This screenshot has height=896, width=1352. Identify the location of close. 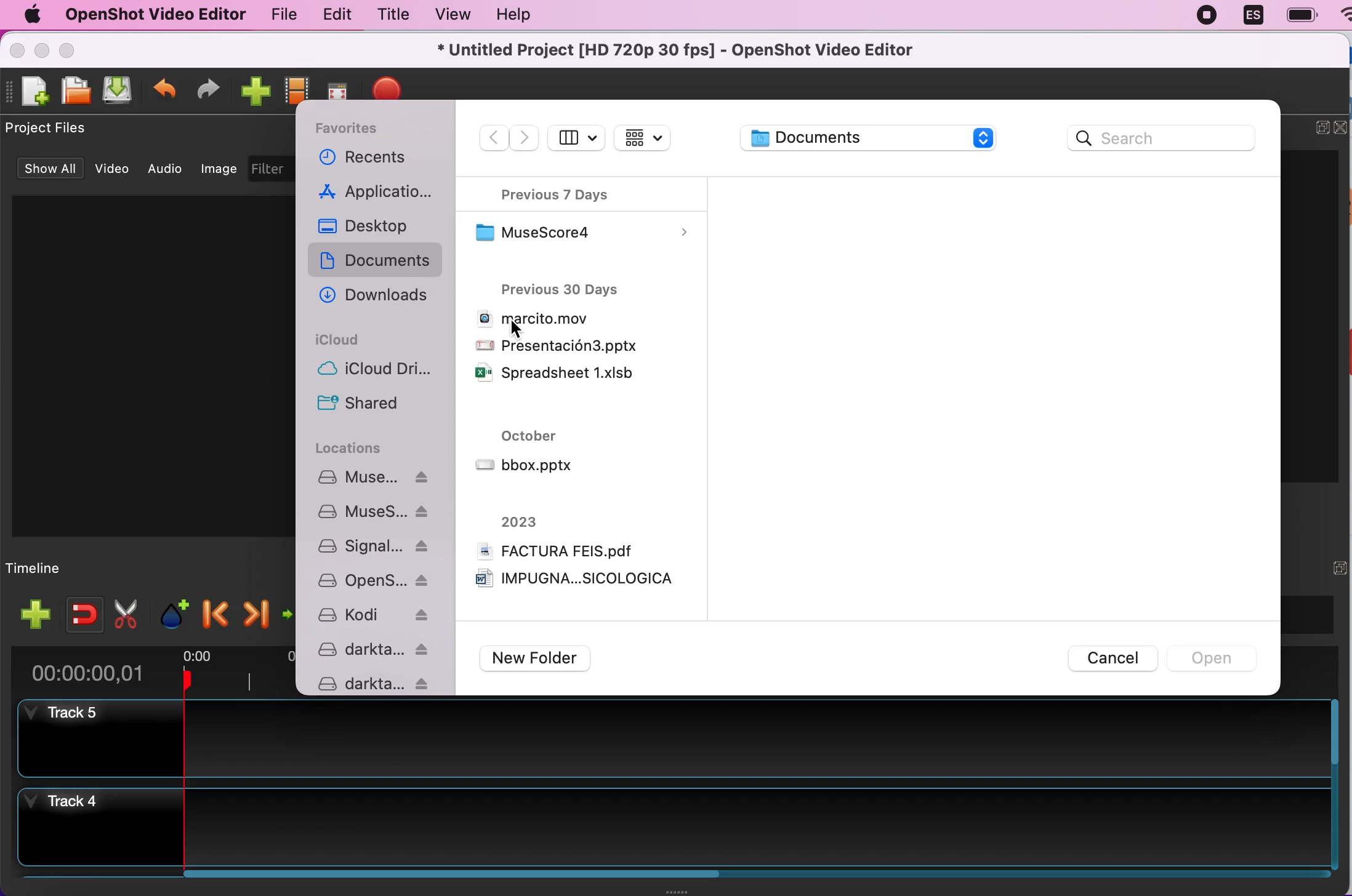
(16, 54).